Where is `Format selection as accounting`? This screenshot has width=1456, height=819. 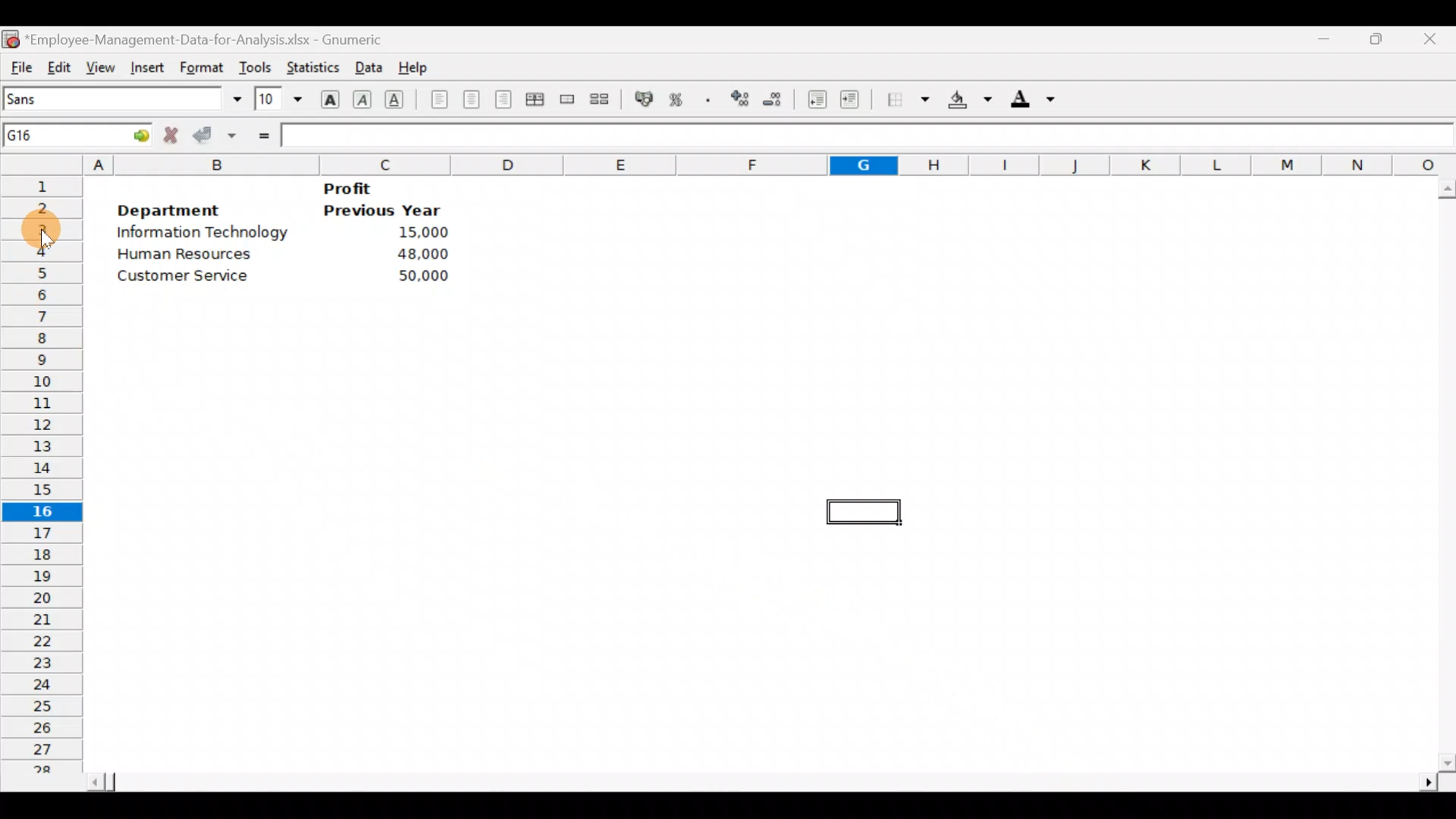
Format selection as accounting is located at coordinates (645, 97).